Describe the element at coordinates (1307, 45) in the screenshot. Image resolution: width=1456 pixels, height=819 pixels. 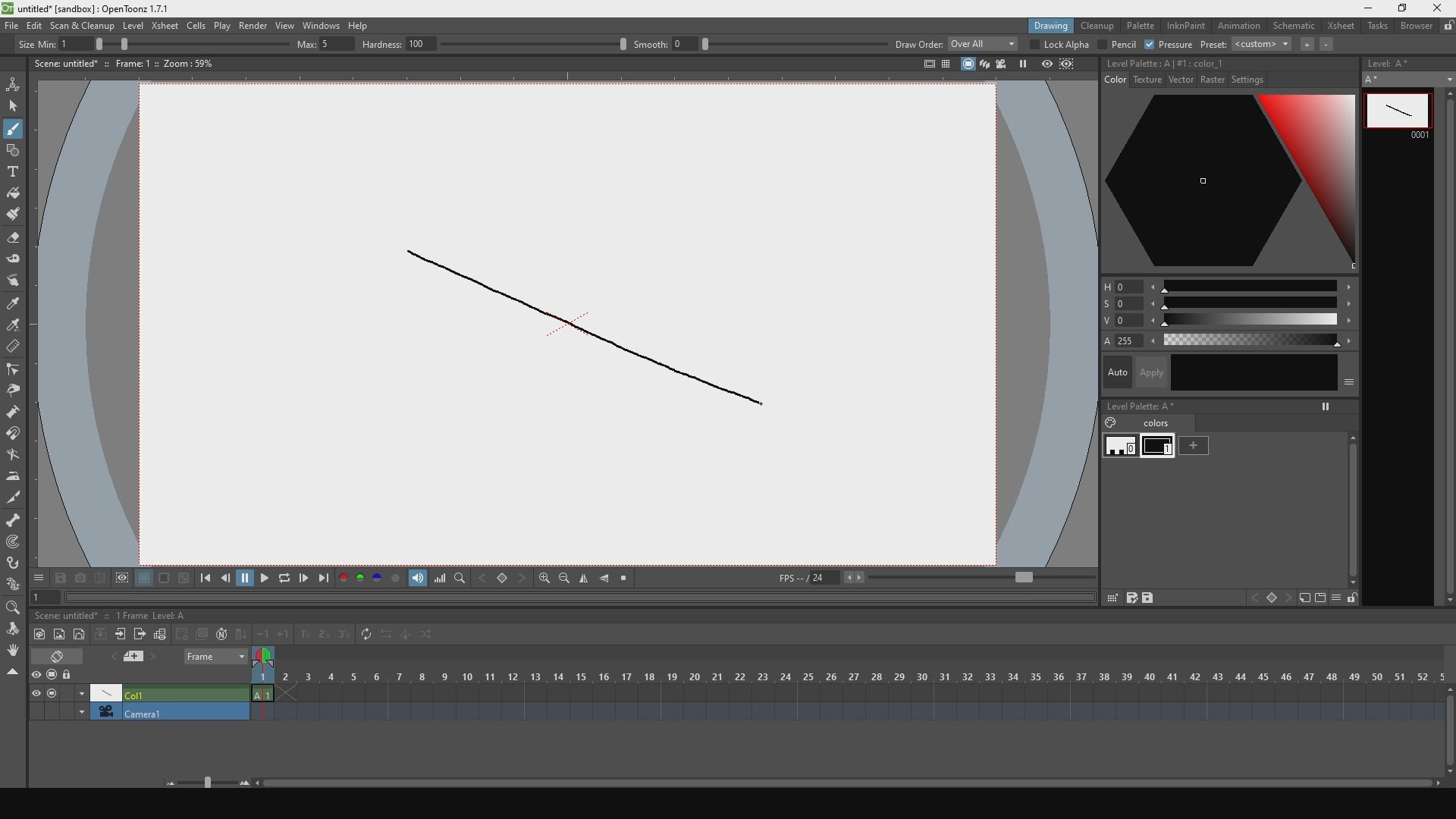
I see `` at that location.